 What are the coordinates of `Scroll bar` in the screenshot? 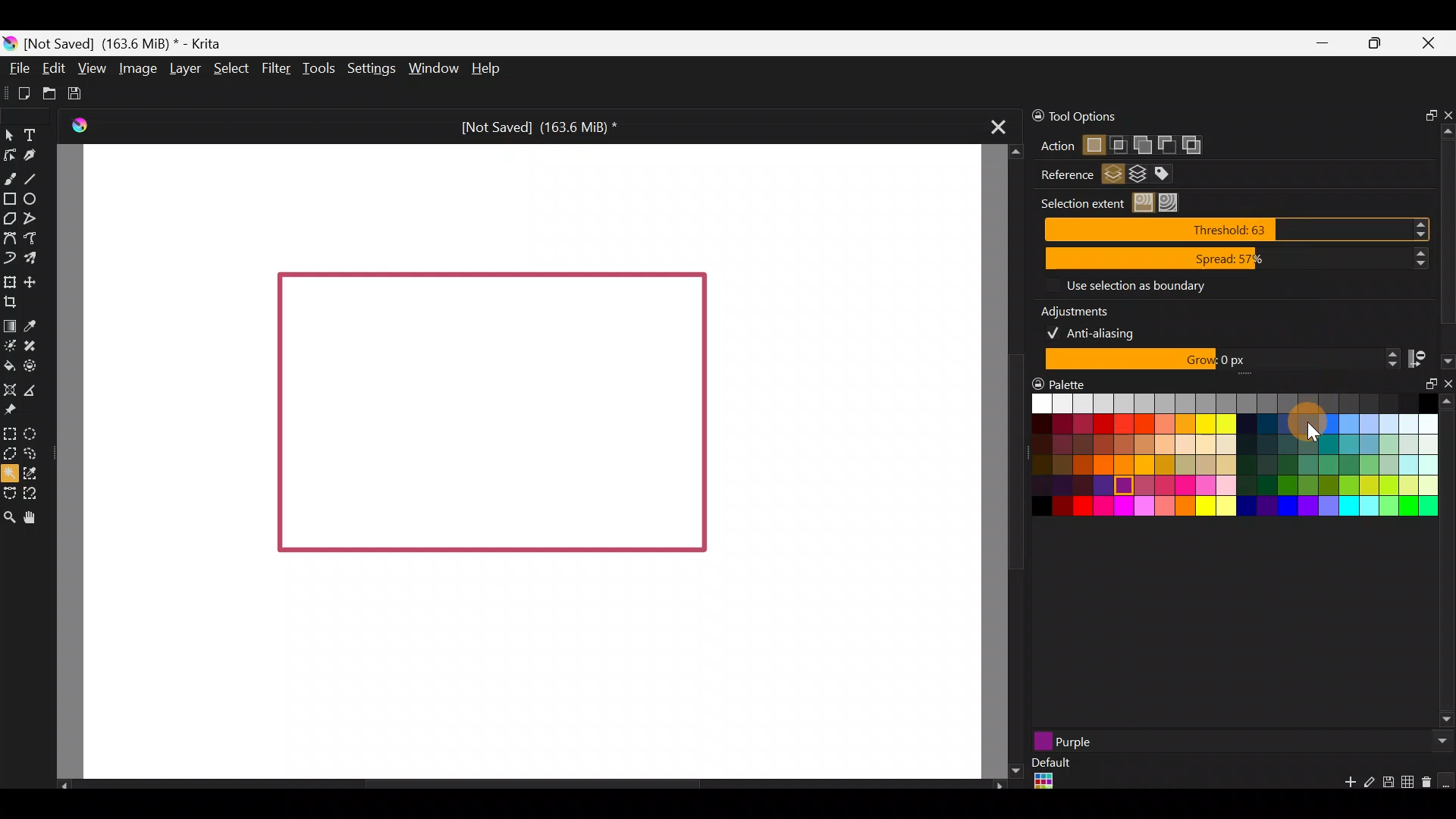 It's located at (1447, 563).